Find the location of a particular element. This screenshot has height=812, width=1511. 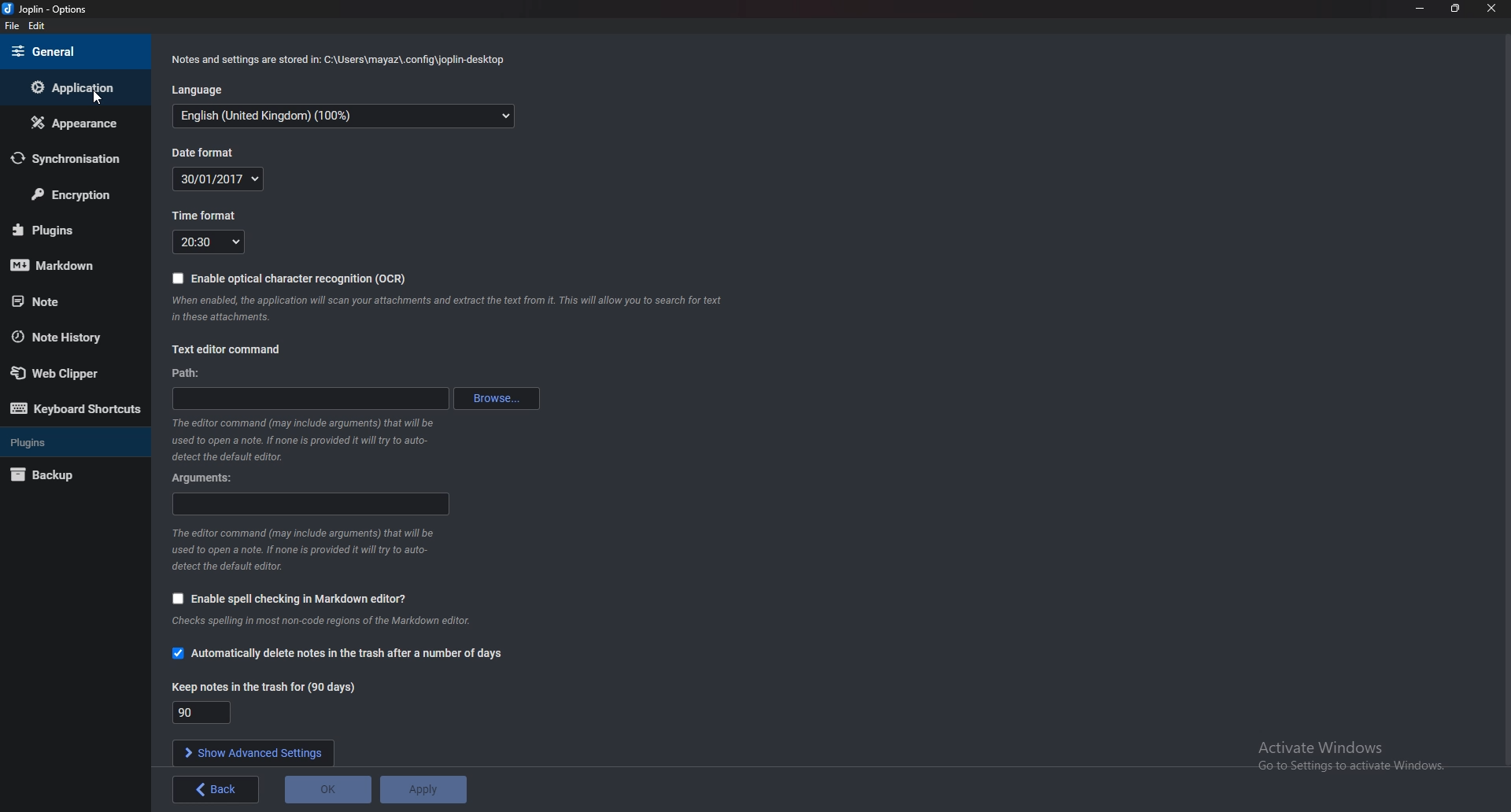

general is located at coordinates (71, 51).